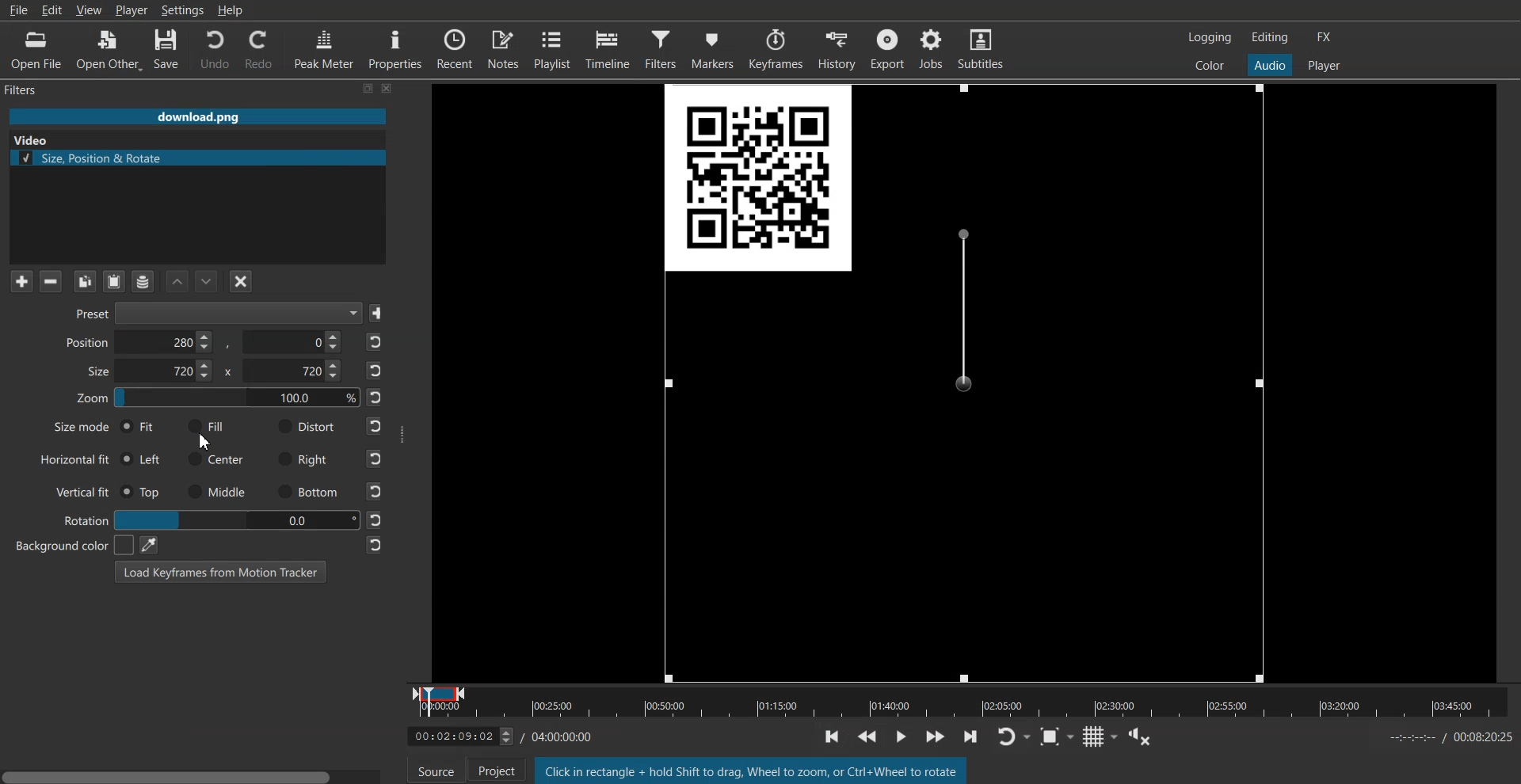 This screenshot has width=1521, height=784. I want to click on Switch to the Editor layout, so click(1270, 37).